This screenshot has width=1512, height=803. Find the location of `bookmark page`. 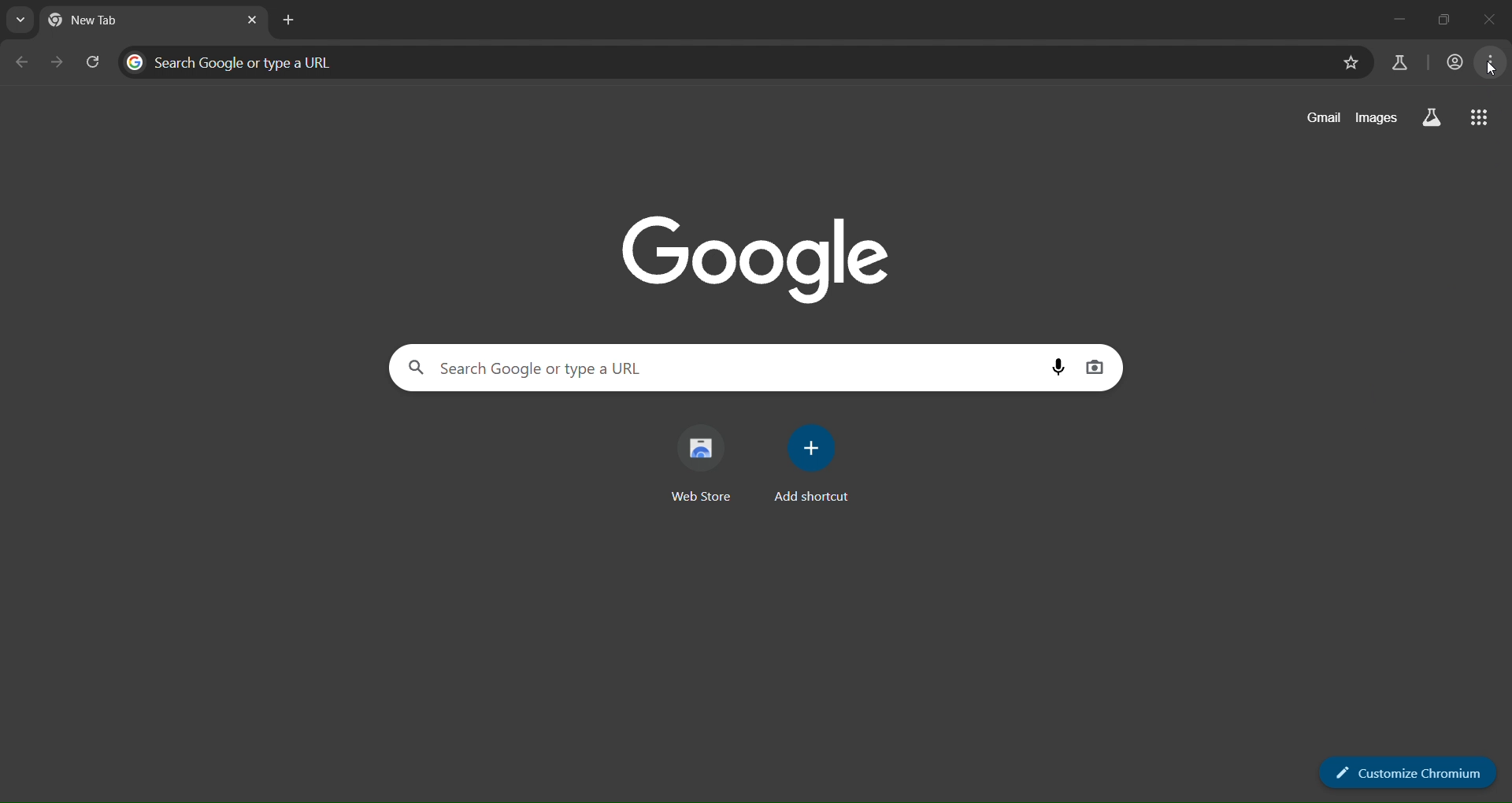

bookmark page is located at coordinates (1350, 62).